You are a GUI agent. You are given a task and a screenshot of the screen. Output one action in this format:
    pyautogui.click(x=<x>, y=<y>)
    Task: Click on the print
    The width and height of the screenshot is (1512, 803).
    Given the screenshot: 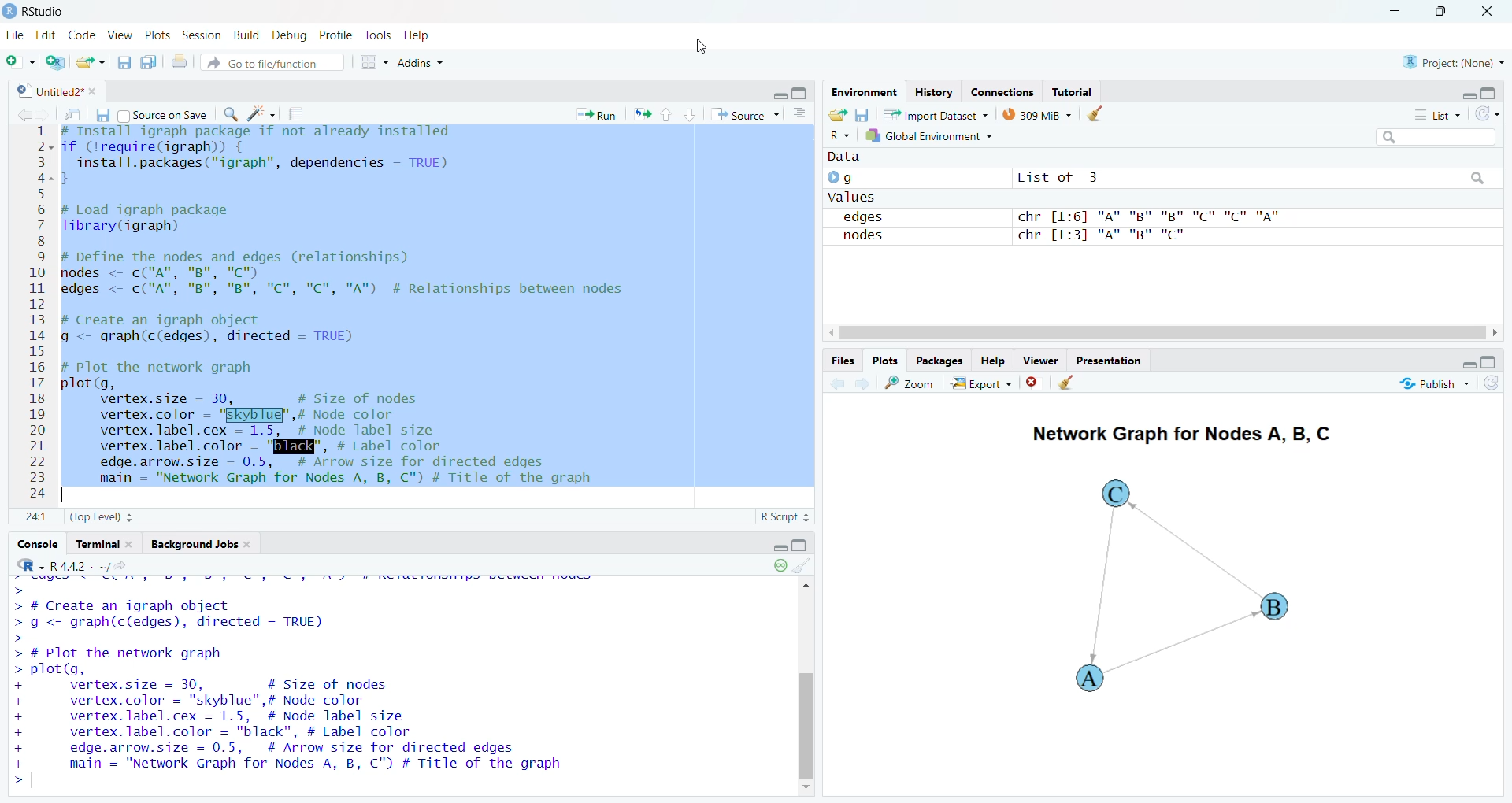 What is the action you would take?
    pyautogui.click(x=180, y=61)
    